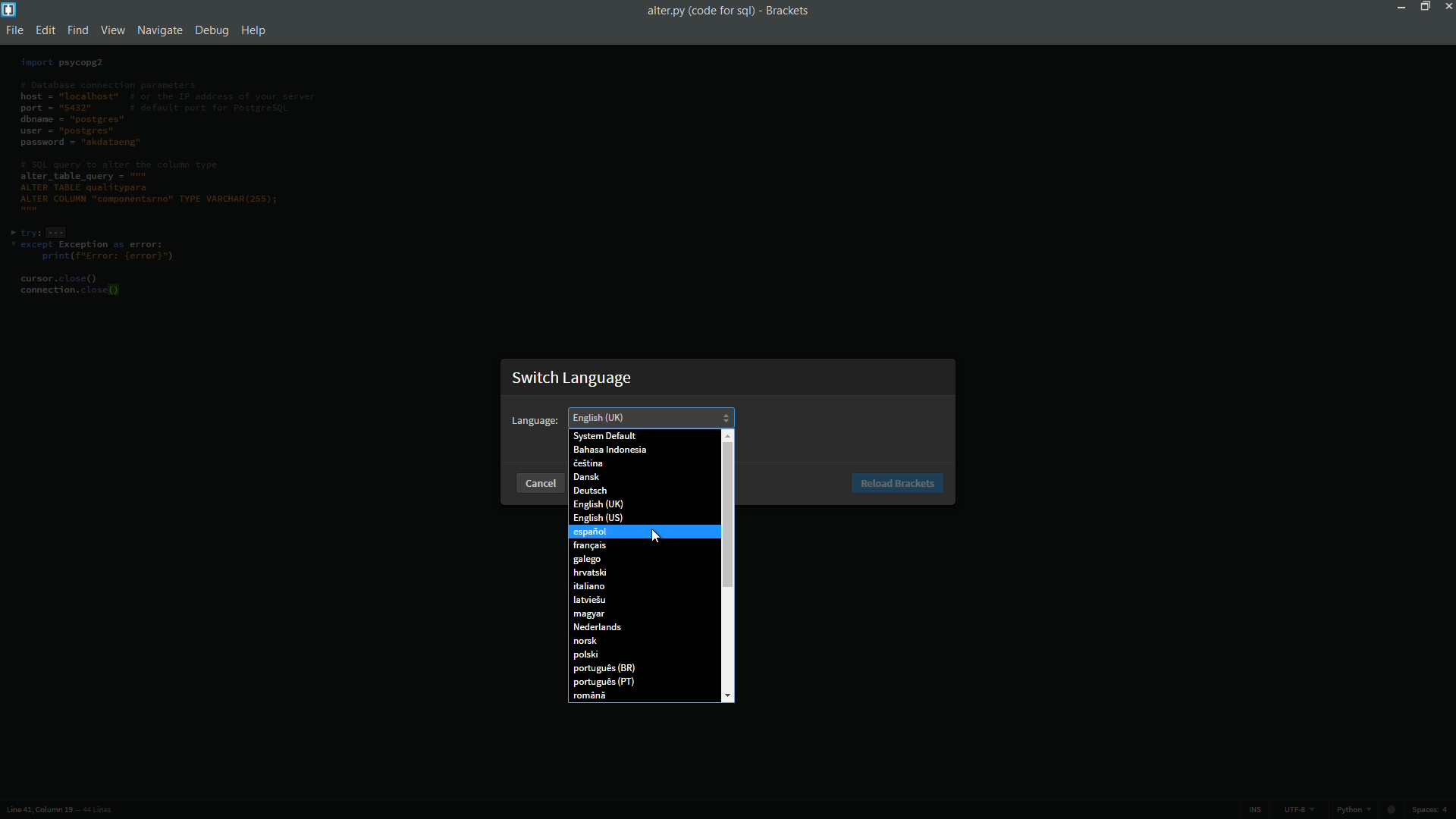 The image size is (1456, 819). What do you see at coordinates (645, 477) in the screenshot?
I see `Dansk` at bounding box center [645, 477].